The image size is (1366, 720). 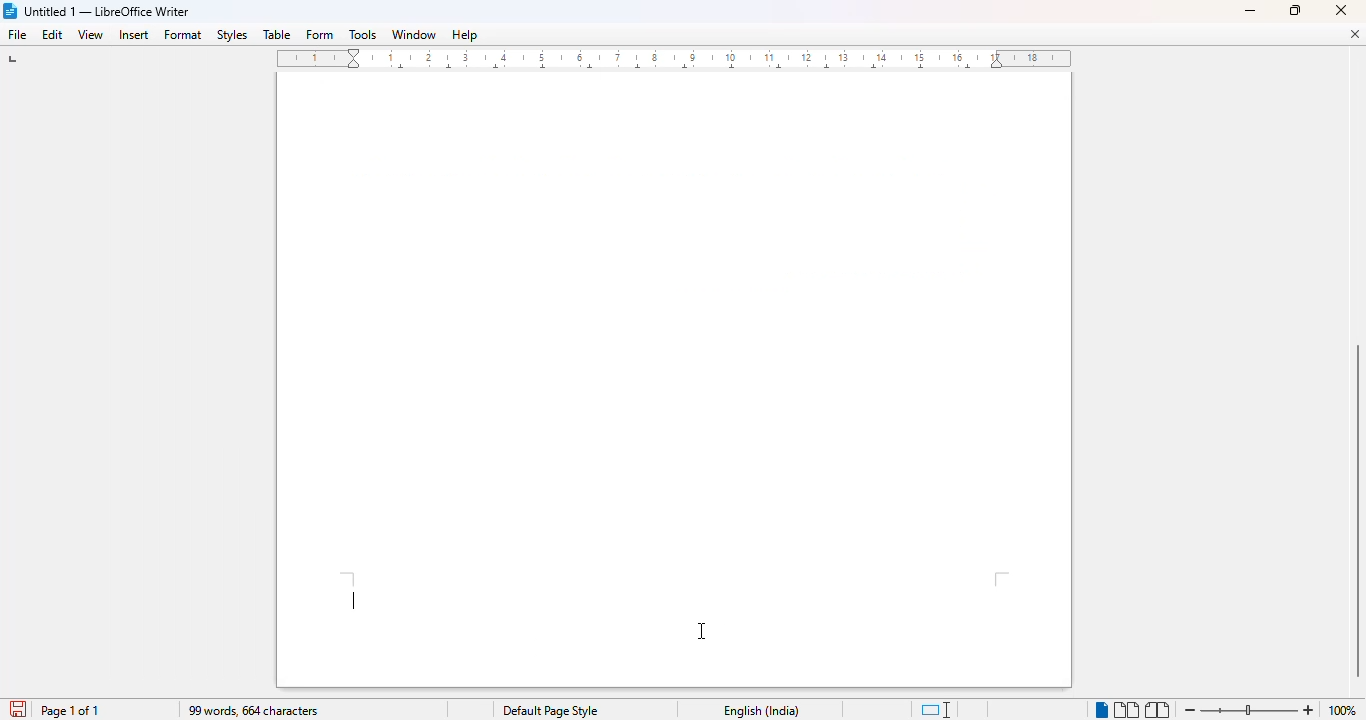 What do you see at coordinates (319, 35) in the screenshot?
I see `form` at bounding box center [319, 35].